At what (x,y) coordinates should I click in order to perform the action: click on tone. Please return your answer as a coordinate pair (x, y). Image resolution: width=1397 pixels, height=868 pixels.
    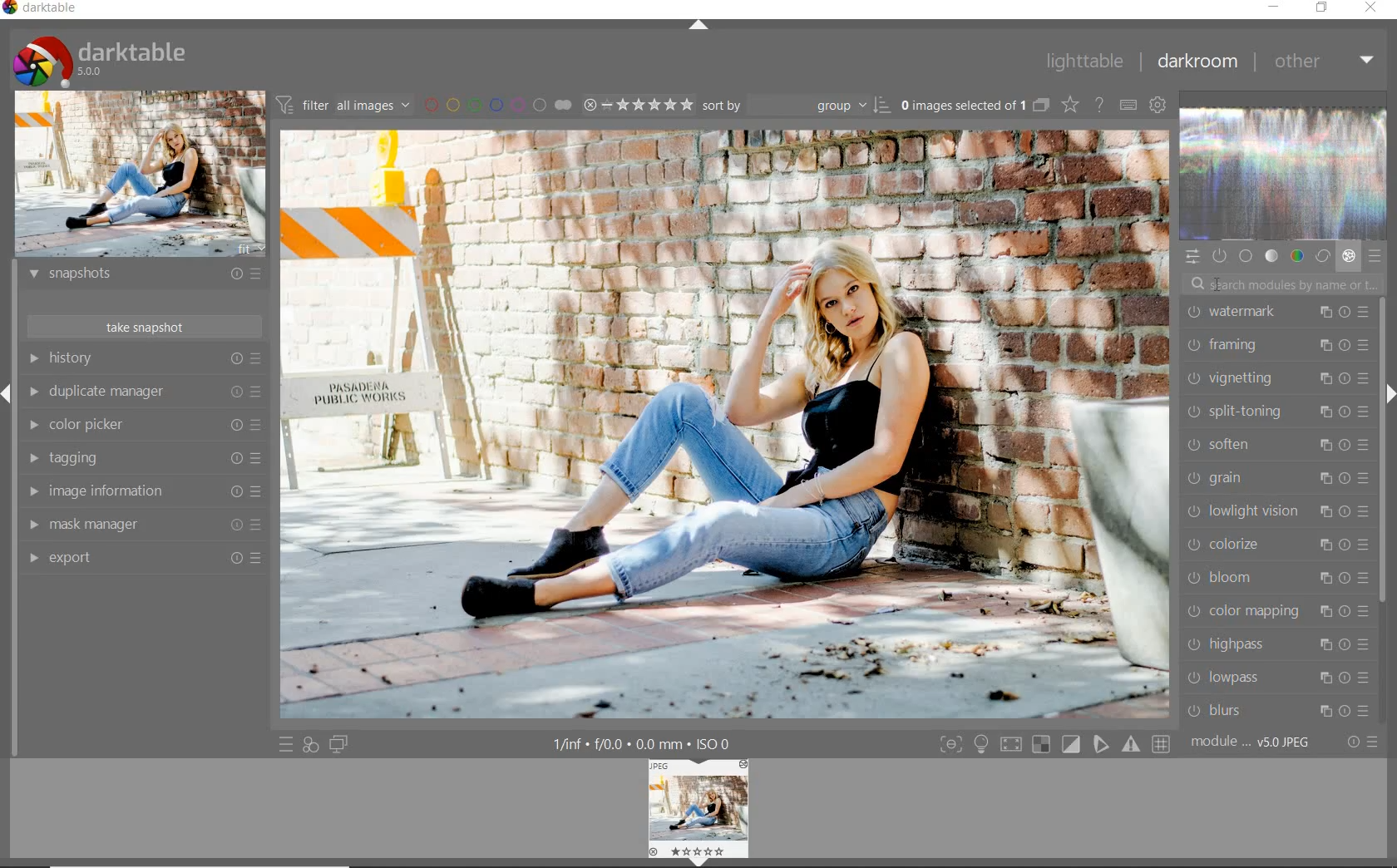
    Looking at the image, I should click on (1272, 257).